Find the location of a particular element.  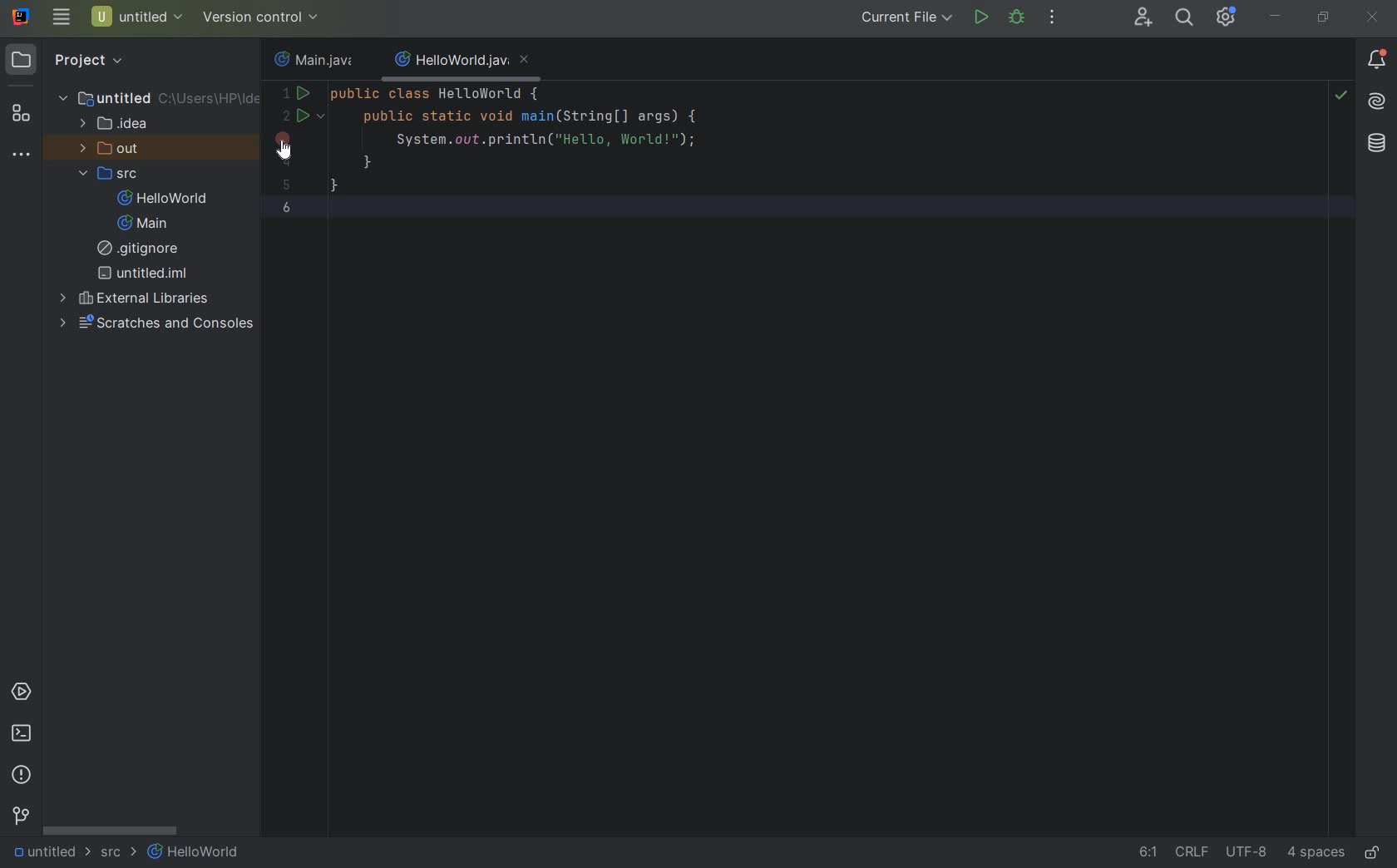

filename is located at coordinates (461, 63).